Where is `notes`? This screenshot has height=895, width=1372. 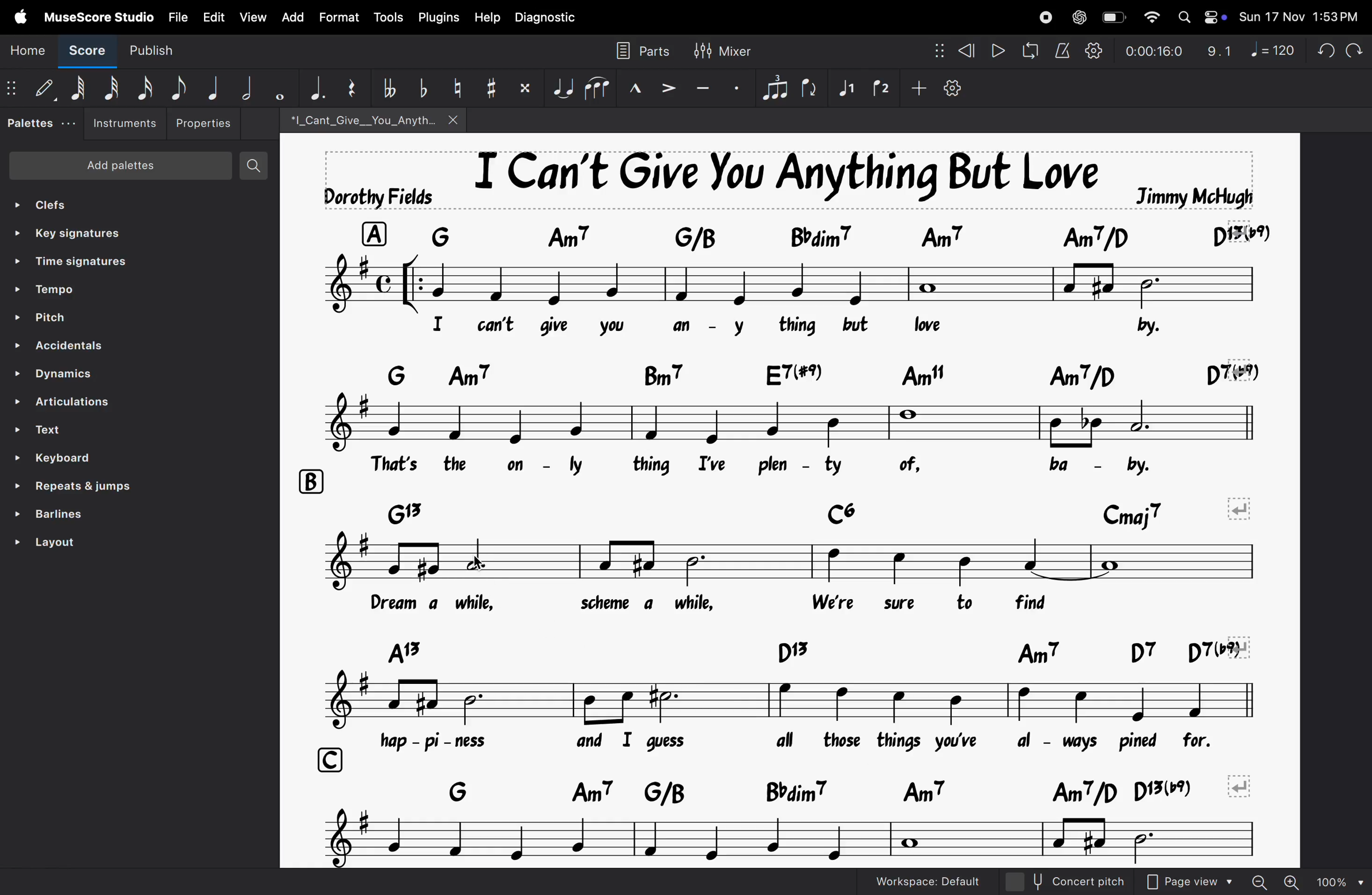
notes is located at coordinates (778, 287).